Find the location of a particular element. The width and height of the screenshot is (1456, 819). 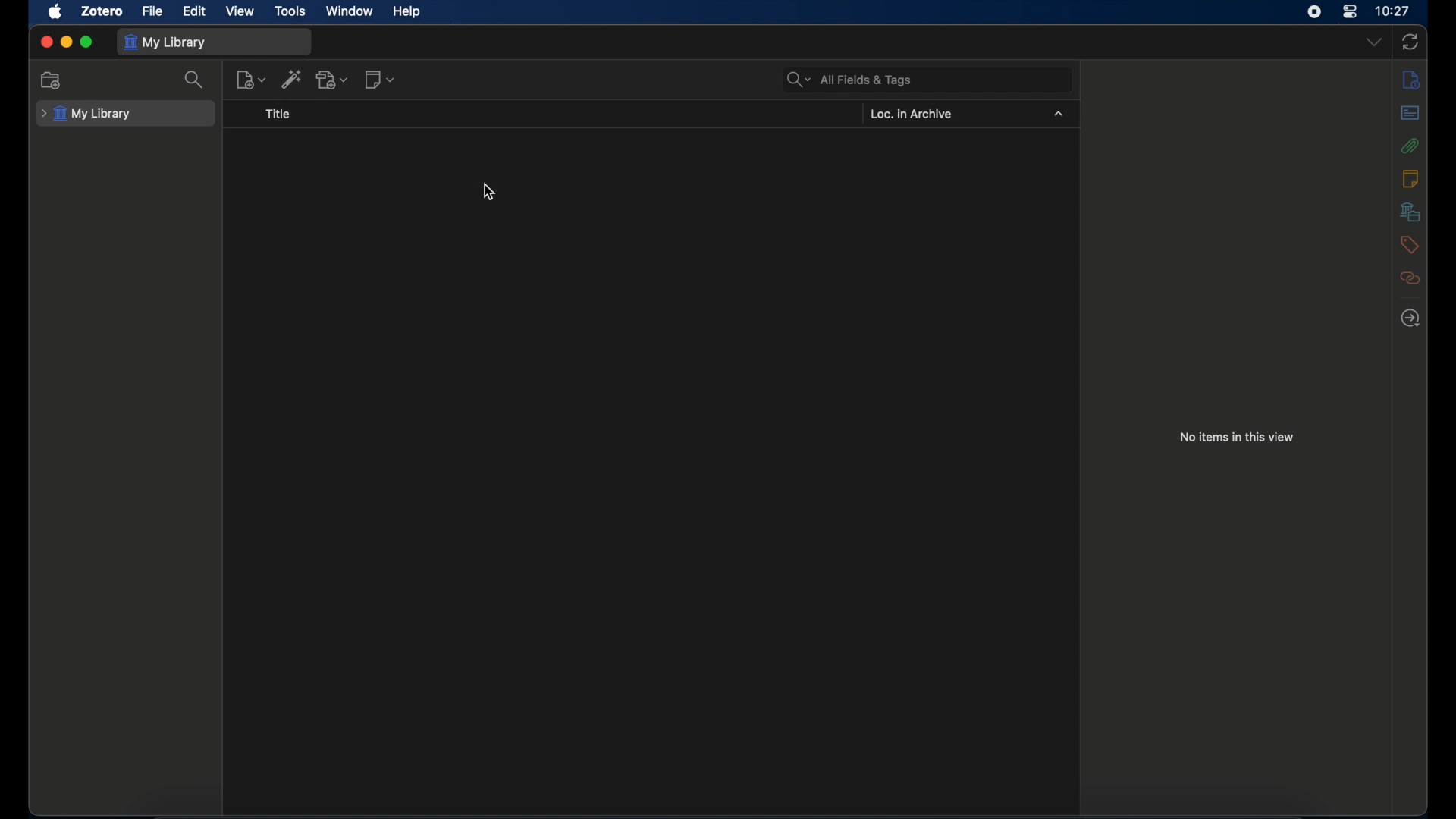

zotero is located at coordinates (101, 12).